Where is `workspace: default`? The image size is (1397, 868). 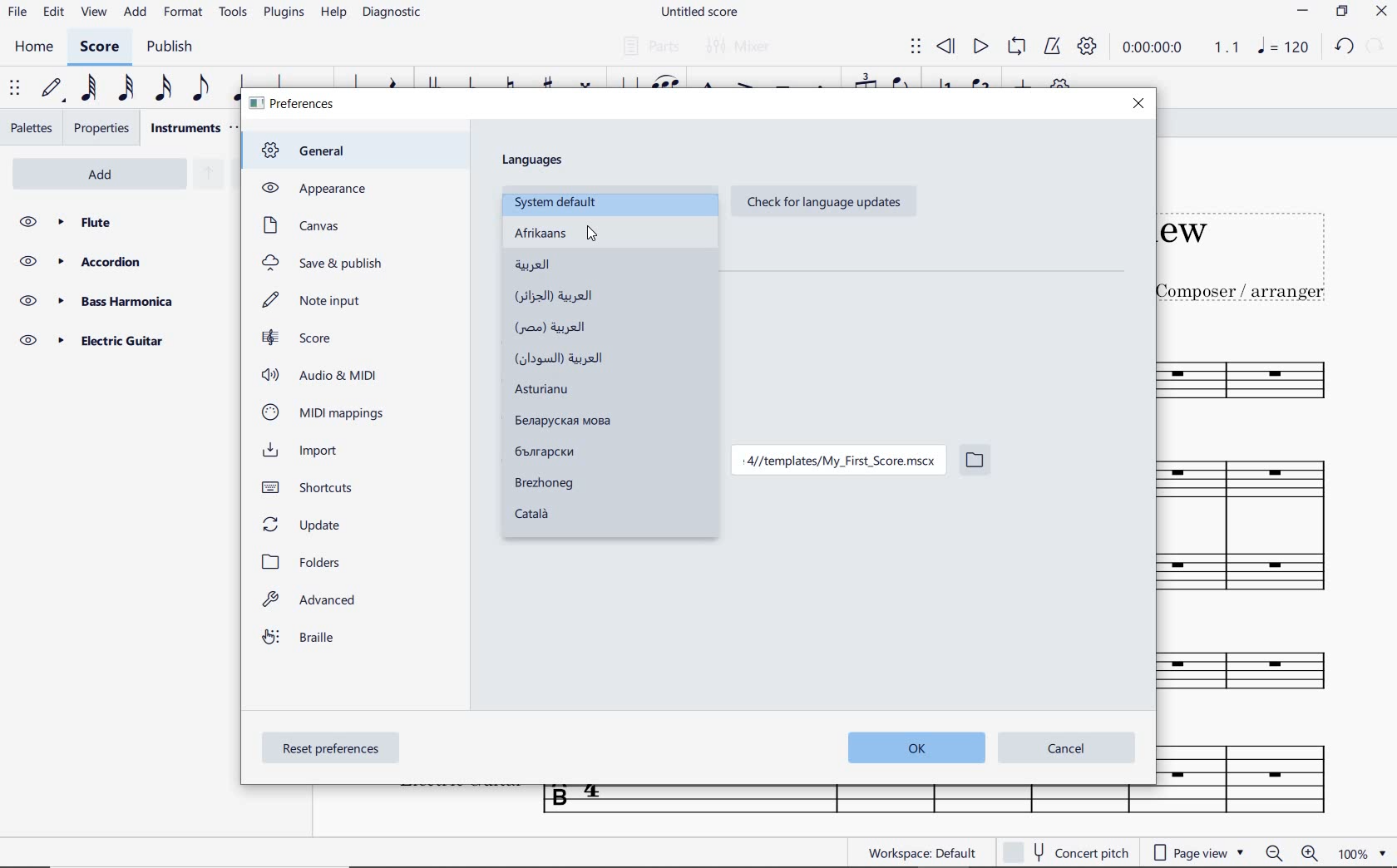 workspace: default is located at coordinates (923, 852).